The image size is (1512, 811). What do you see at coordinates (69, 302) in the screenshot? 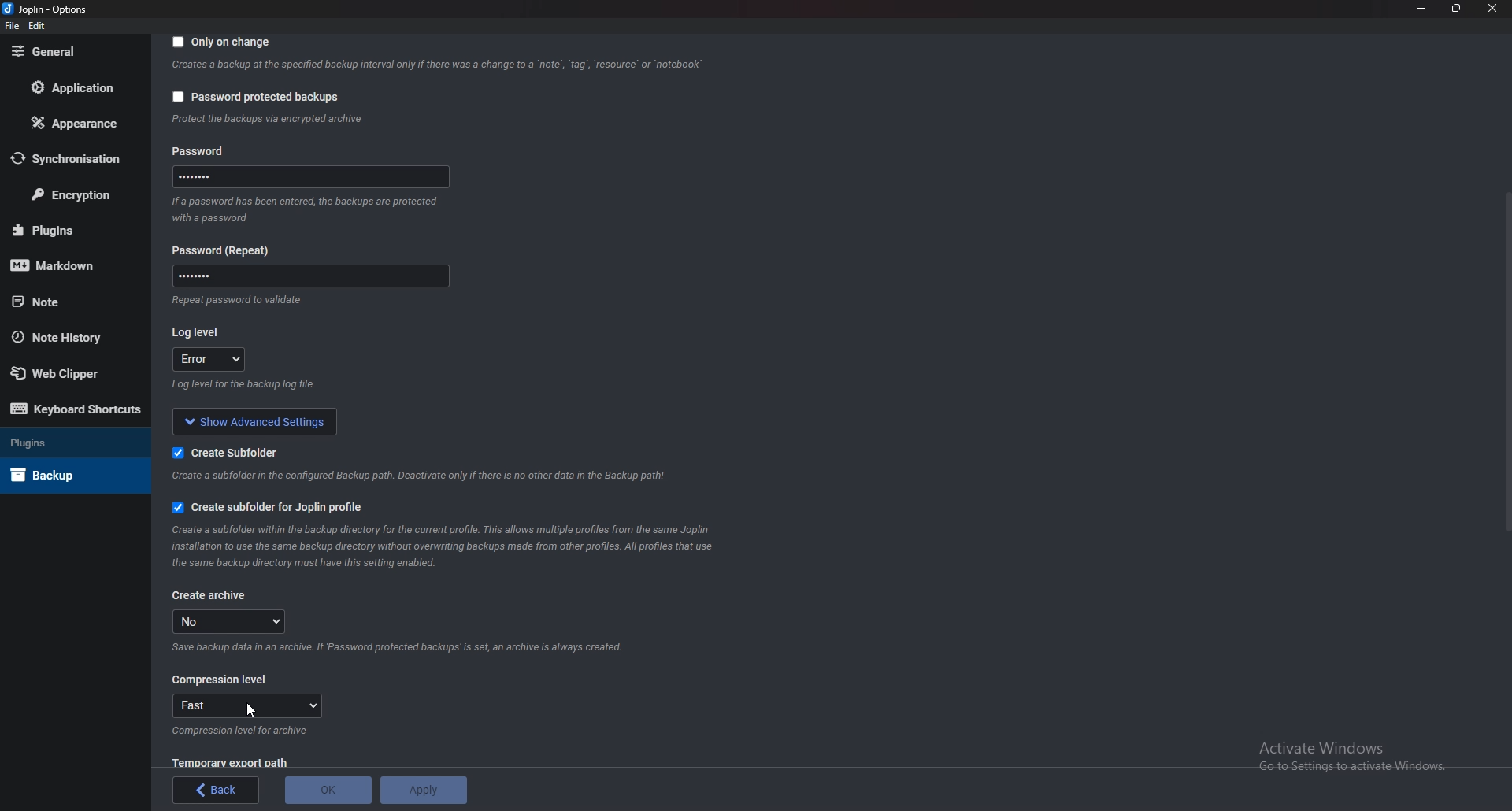
I see `note` at bounding box center [69, 302].